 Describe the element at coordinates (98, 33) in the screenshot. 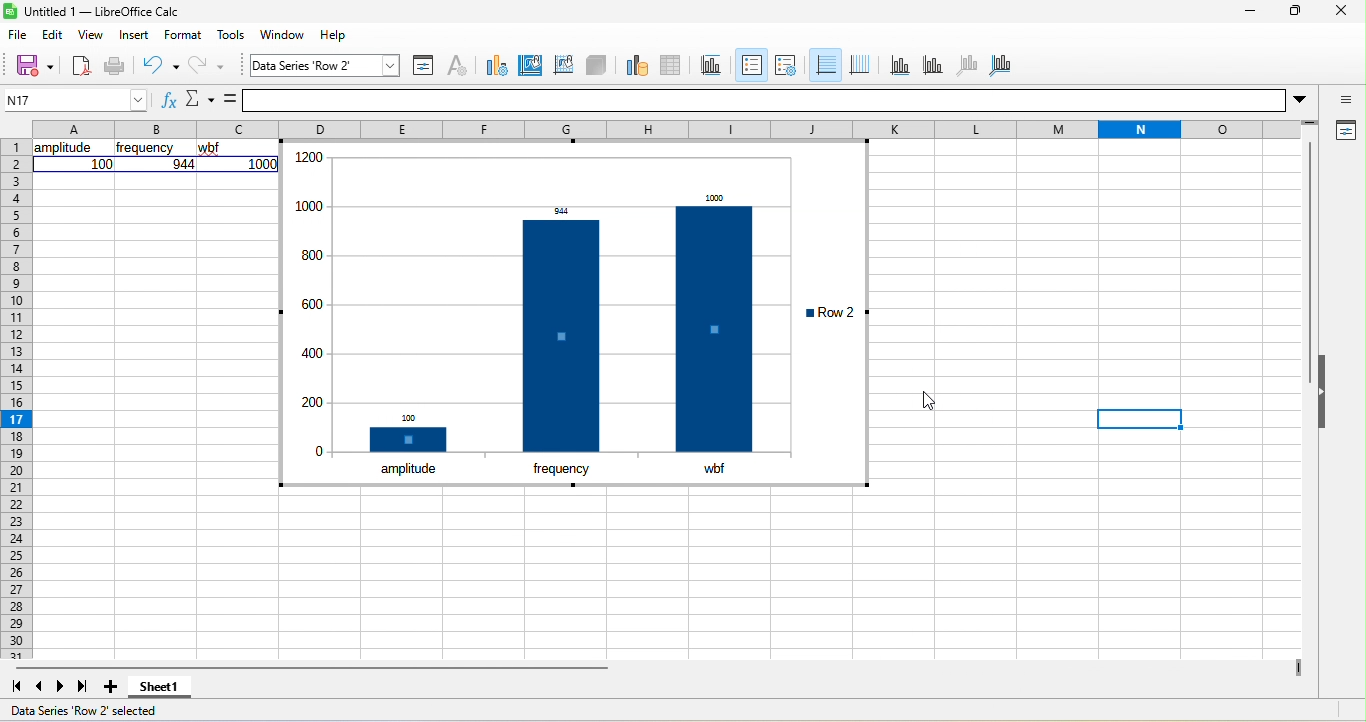

I see `view` at that location.